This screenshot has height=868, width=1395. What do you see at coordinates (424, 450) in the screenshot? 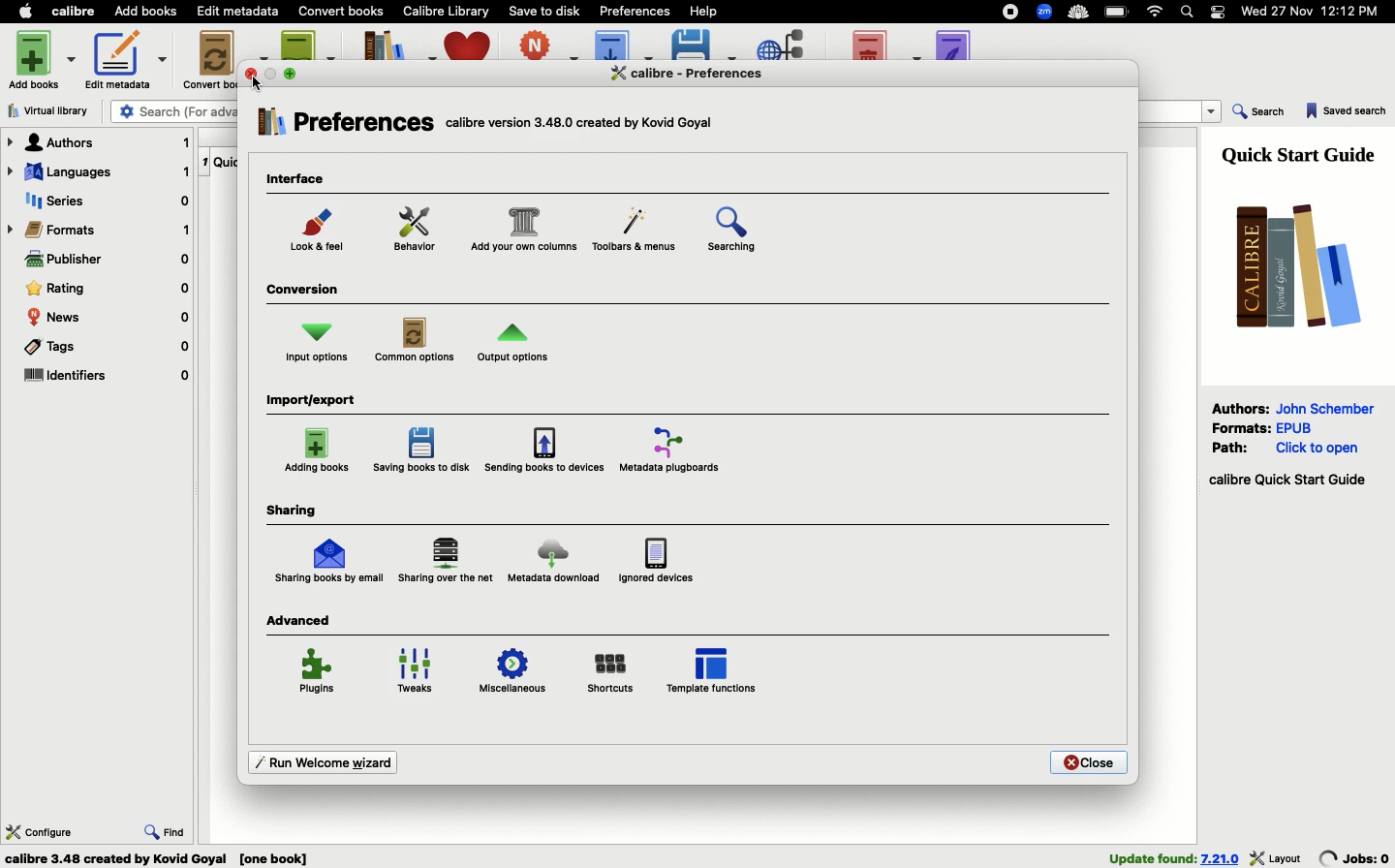
I see `Saving books to disk` at bounding box center [424, 450].